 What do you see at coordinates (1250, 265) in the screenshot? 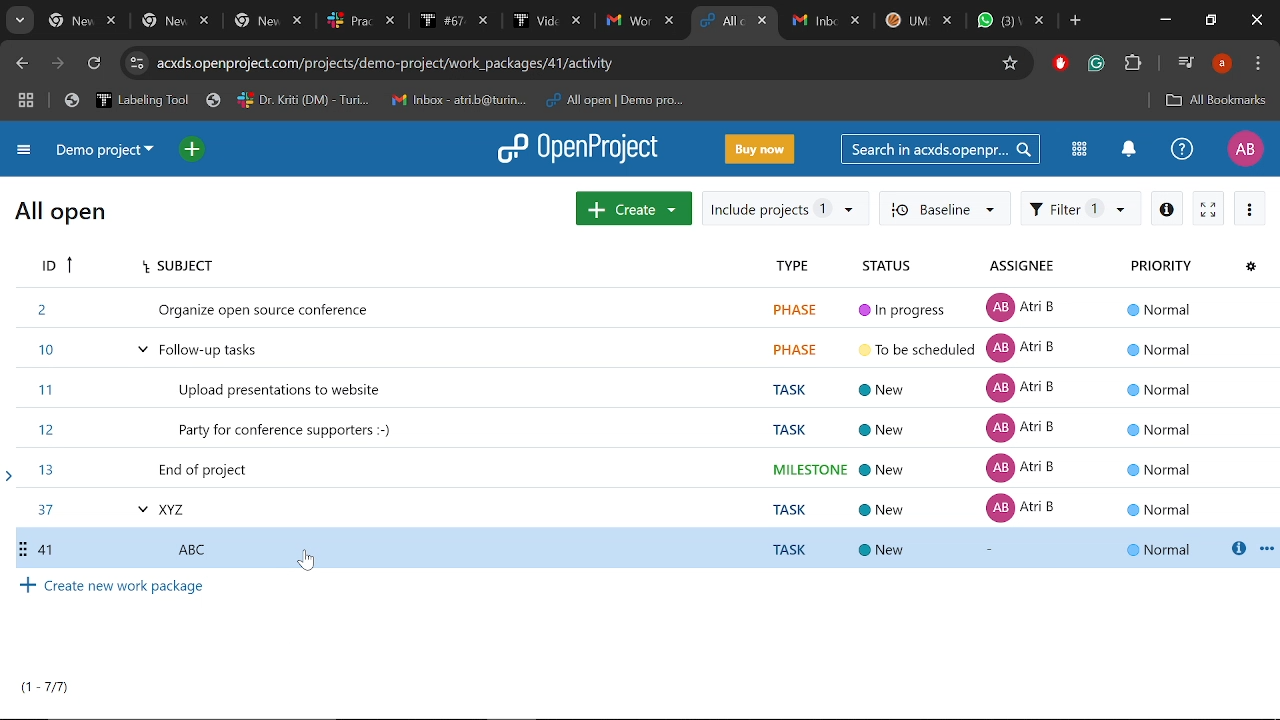
I see `Configure view` at bounding box center [1250, 265].